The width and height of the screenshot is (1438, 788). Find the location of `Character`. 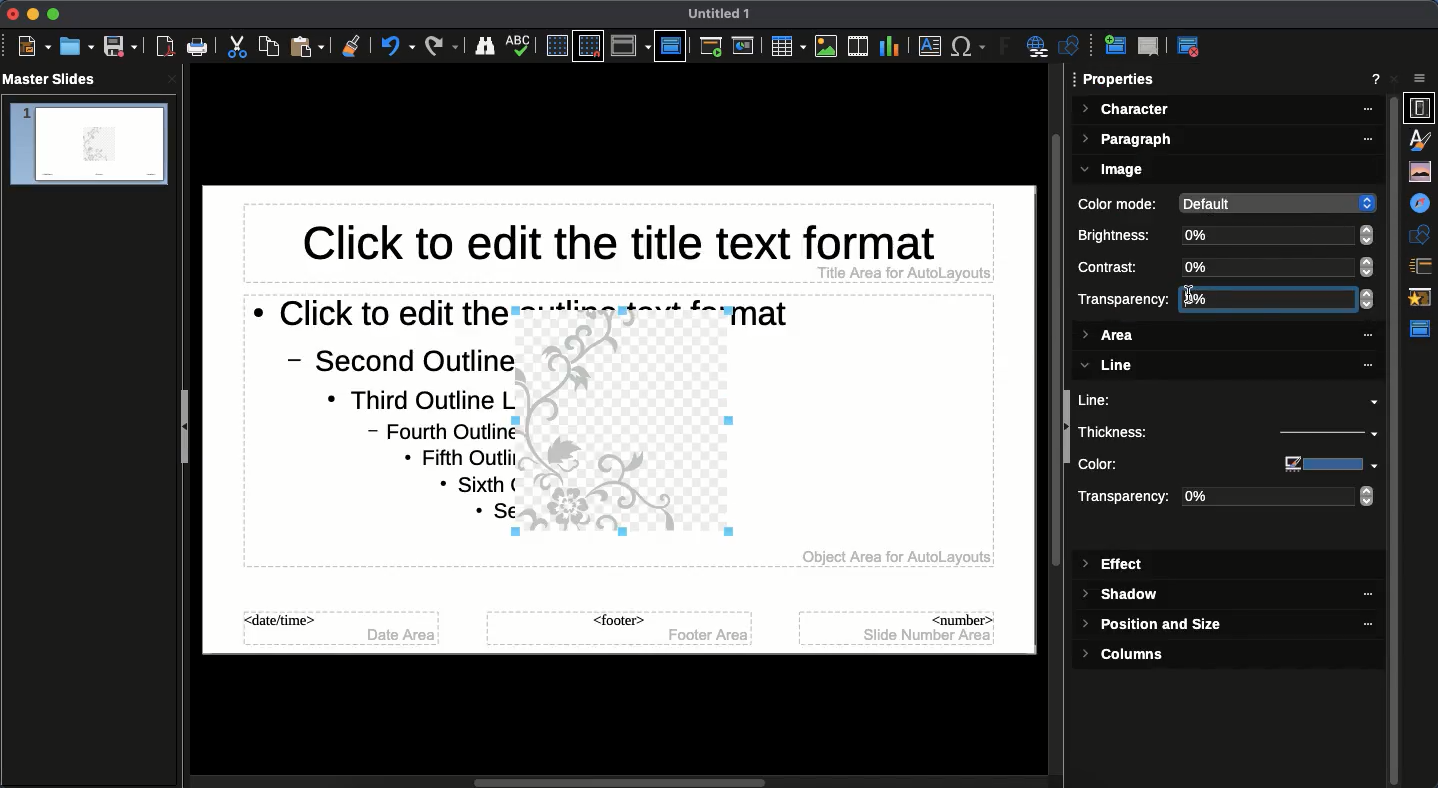

Character is located at coordinates (1228, 110).